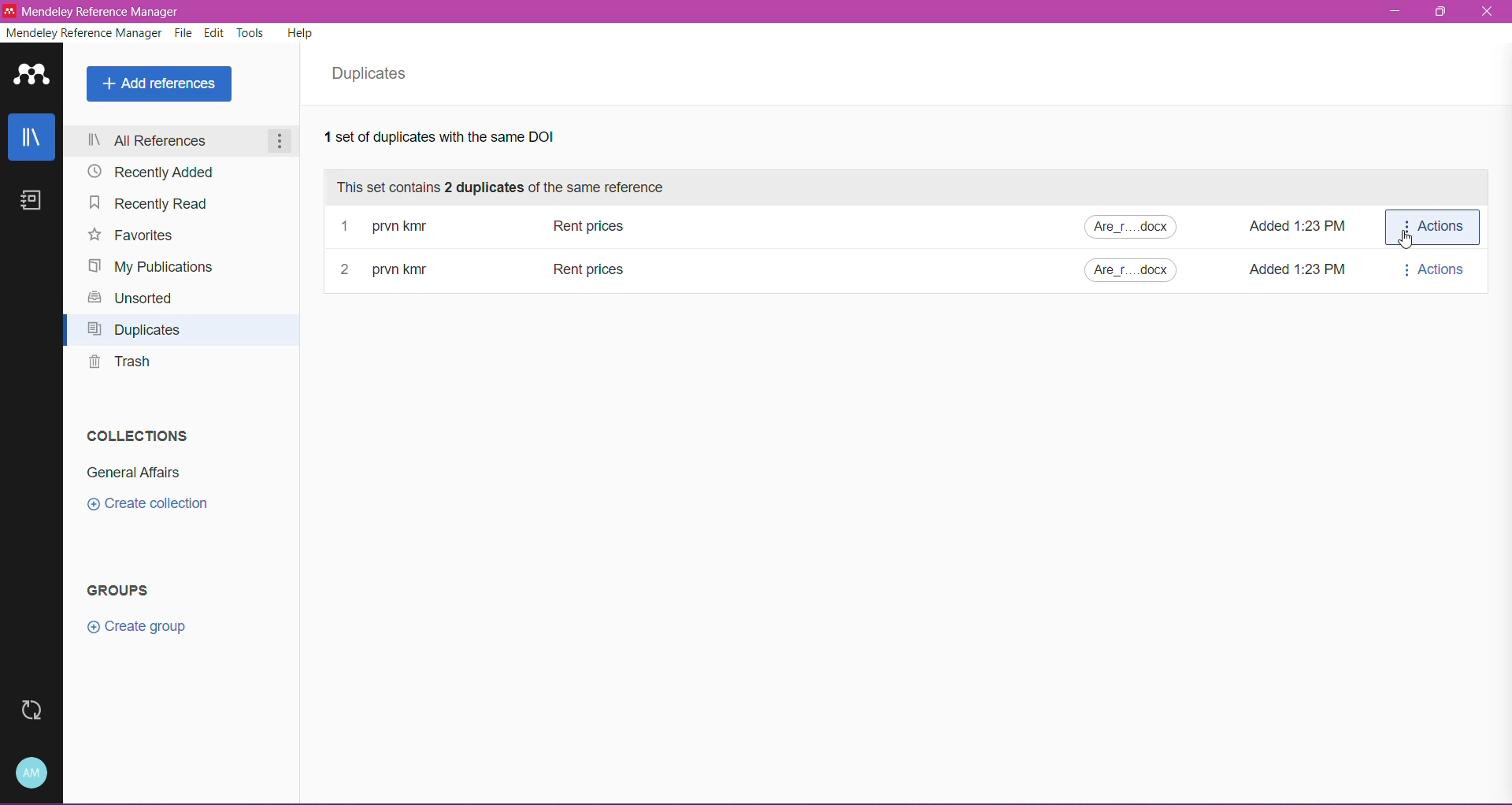  Describe the element at coordinates (119, 365) in the screenshot. I see `Trash` at that location.